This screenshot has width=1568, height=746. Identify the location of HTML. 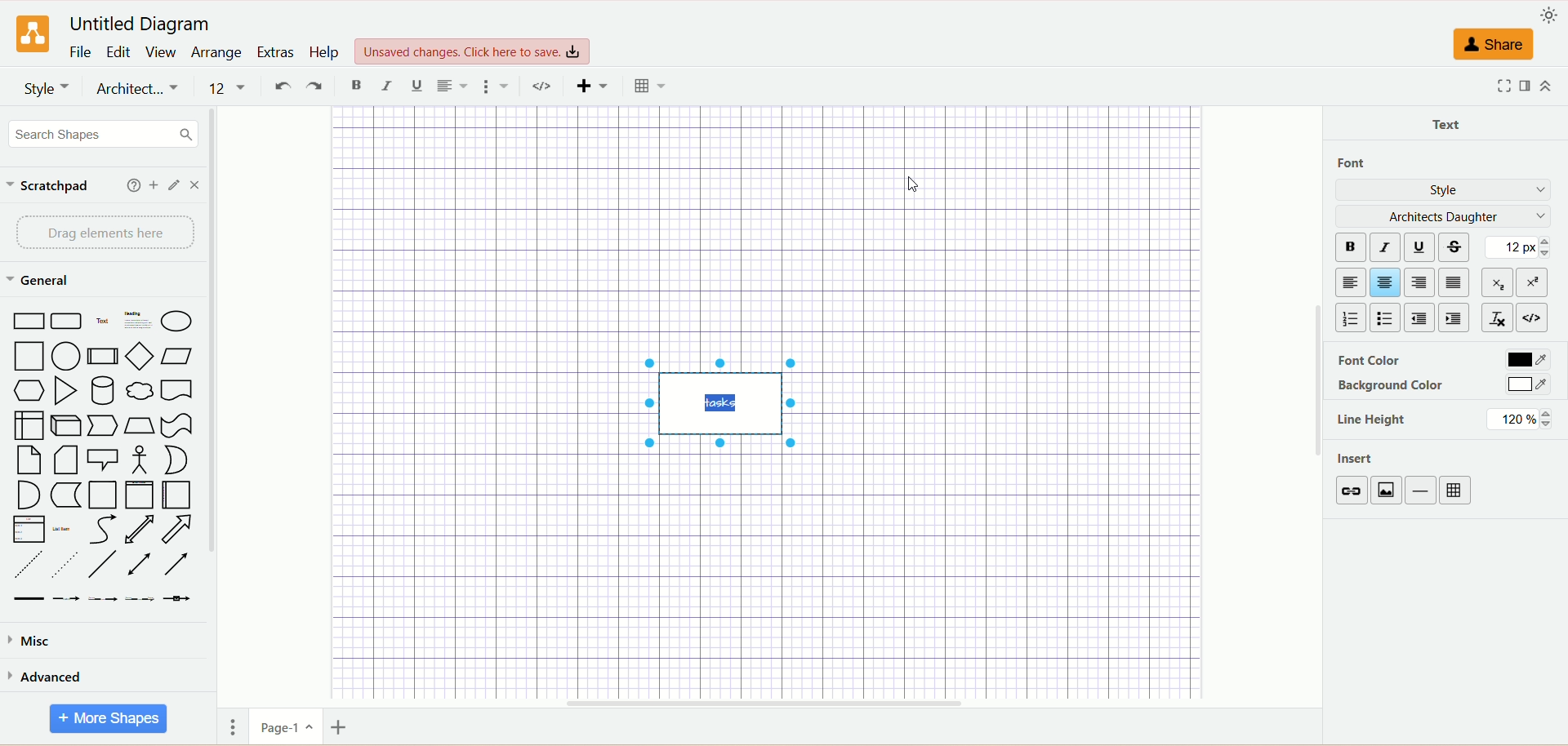
(1535, 317).